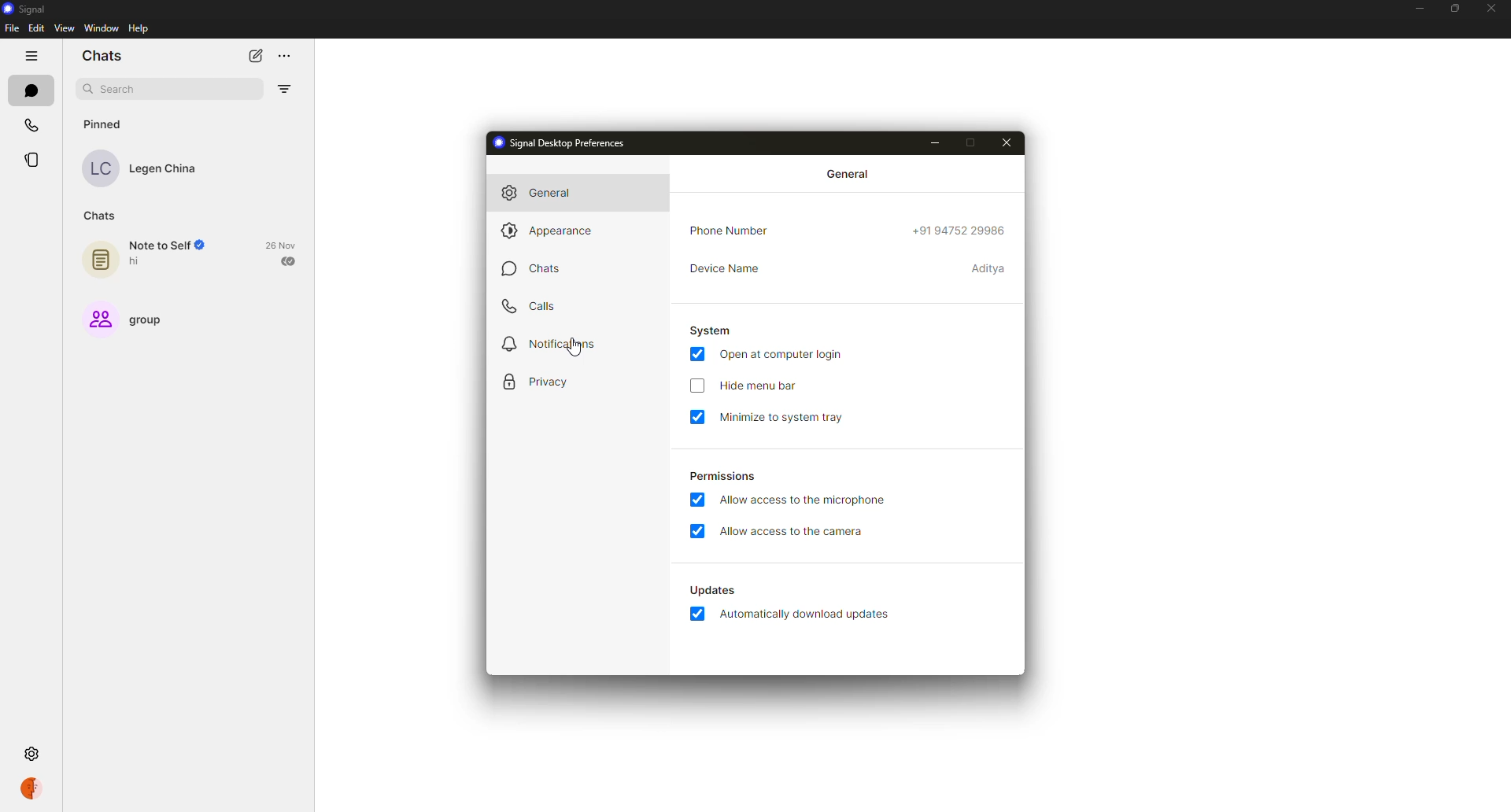 The width and height of the screenshot is (1511, 812). Describe the element at coordinates (99, 29) in the screenshot. I see `window` at that location.